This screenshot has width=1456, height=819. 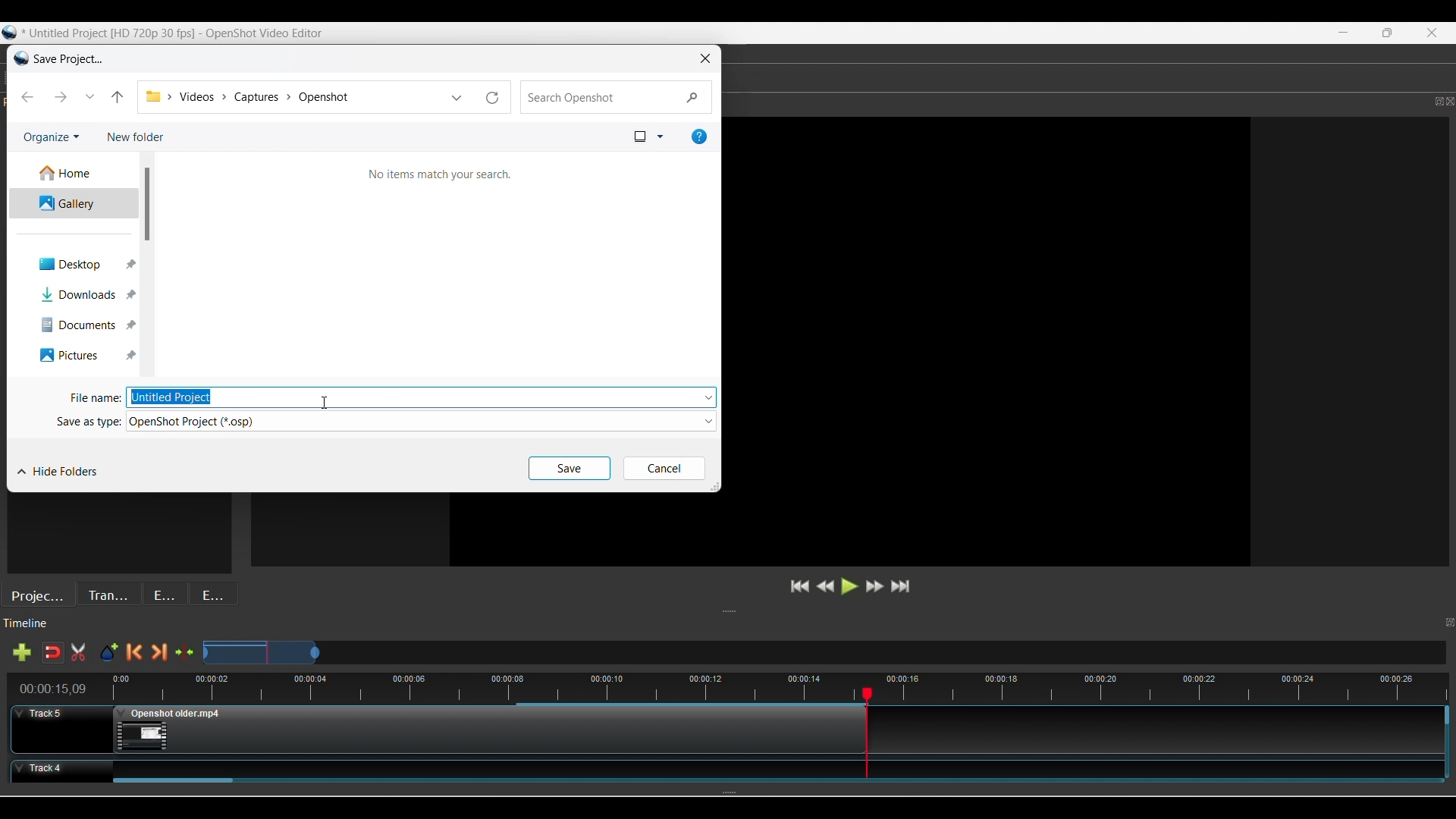 I want to click on Selected view option, so click(x=640, y=136).